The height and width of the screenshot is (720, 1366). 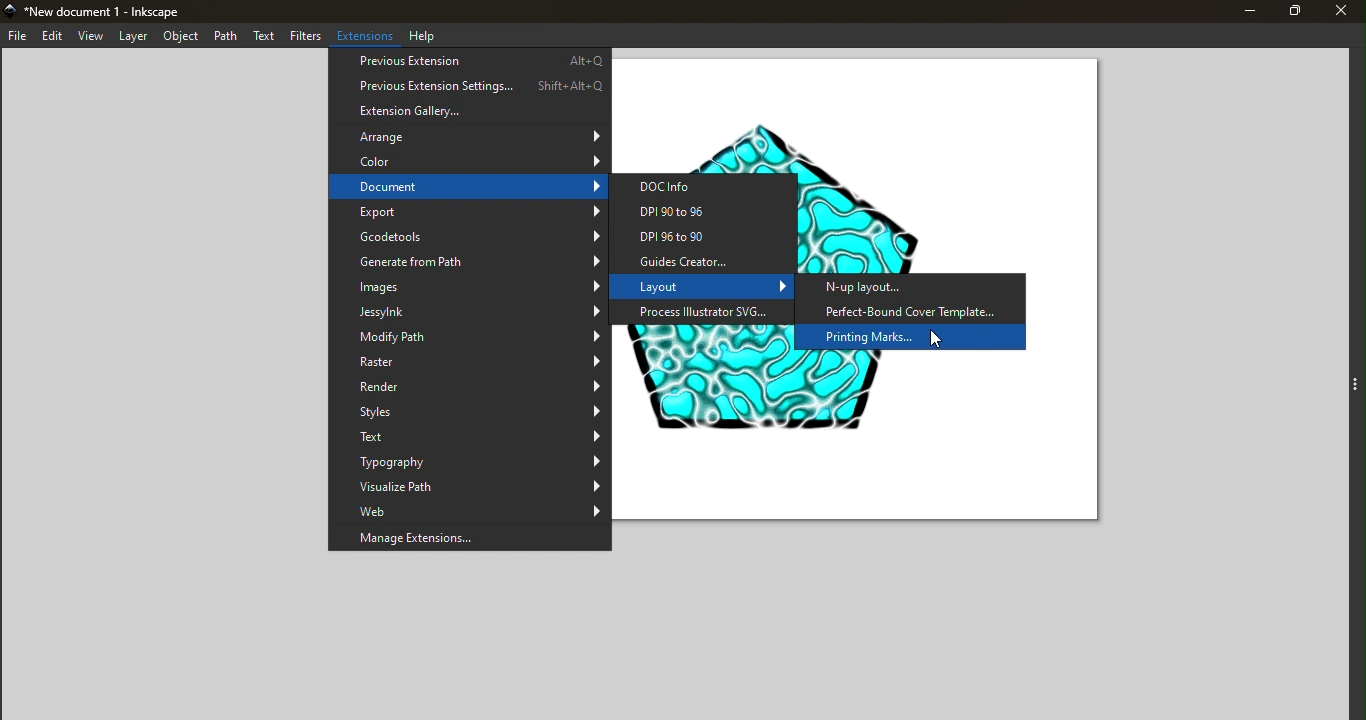 I want to click on Maximize, so click(x=1286, y=11).